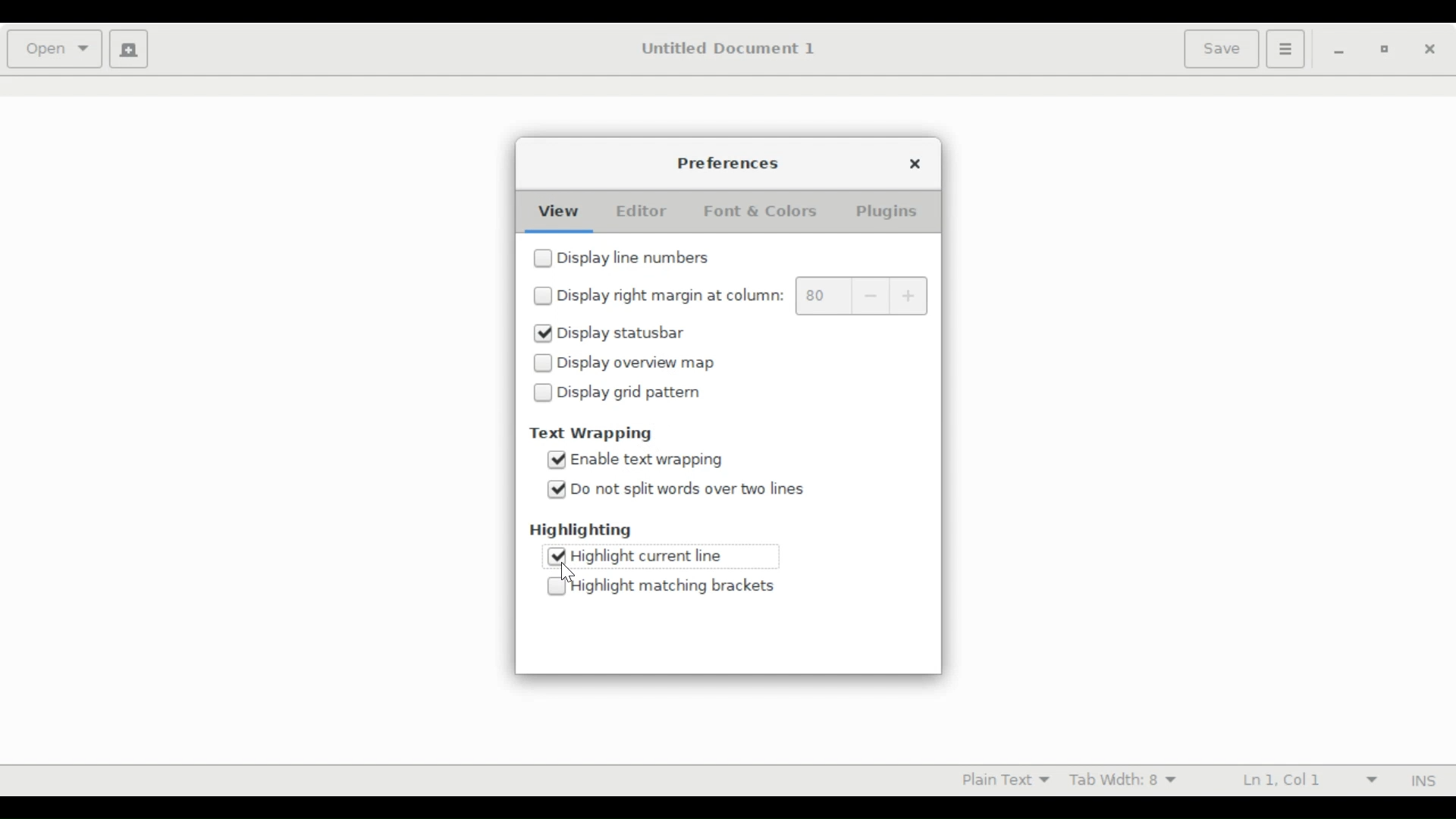 The height and width of the screenshot is (819, 1456). What do you see at coordinates (629, 393) in the screenshot?
I see `Display grid pattern` at bounding box center [629, 393].